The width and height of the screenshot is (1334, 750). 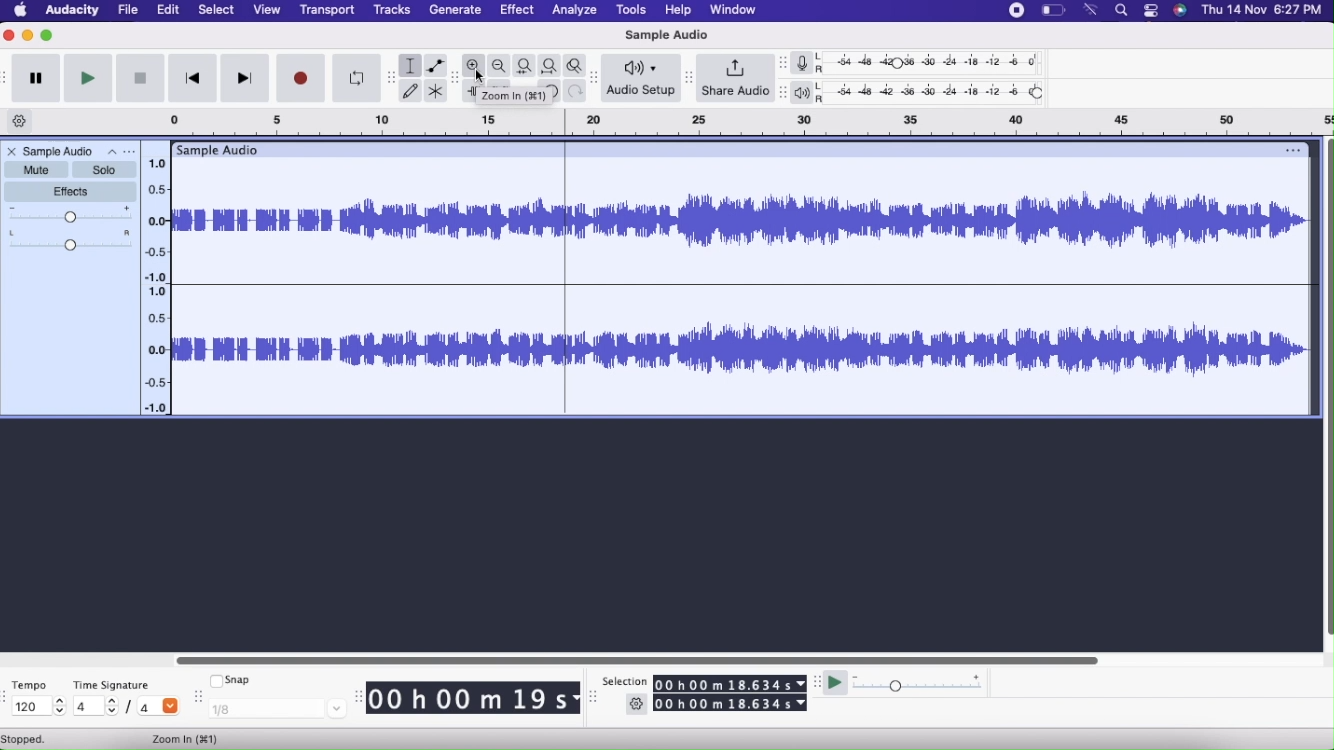 I want to click on Timeline options, so click(x=20, y=122).